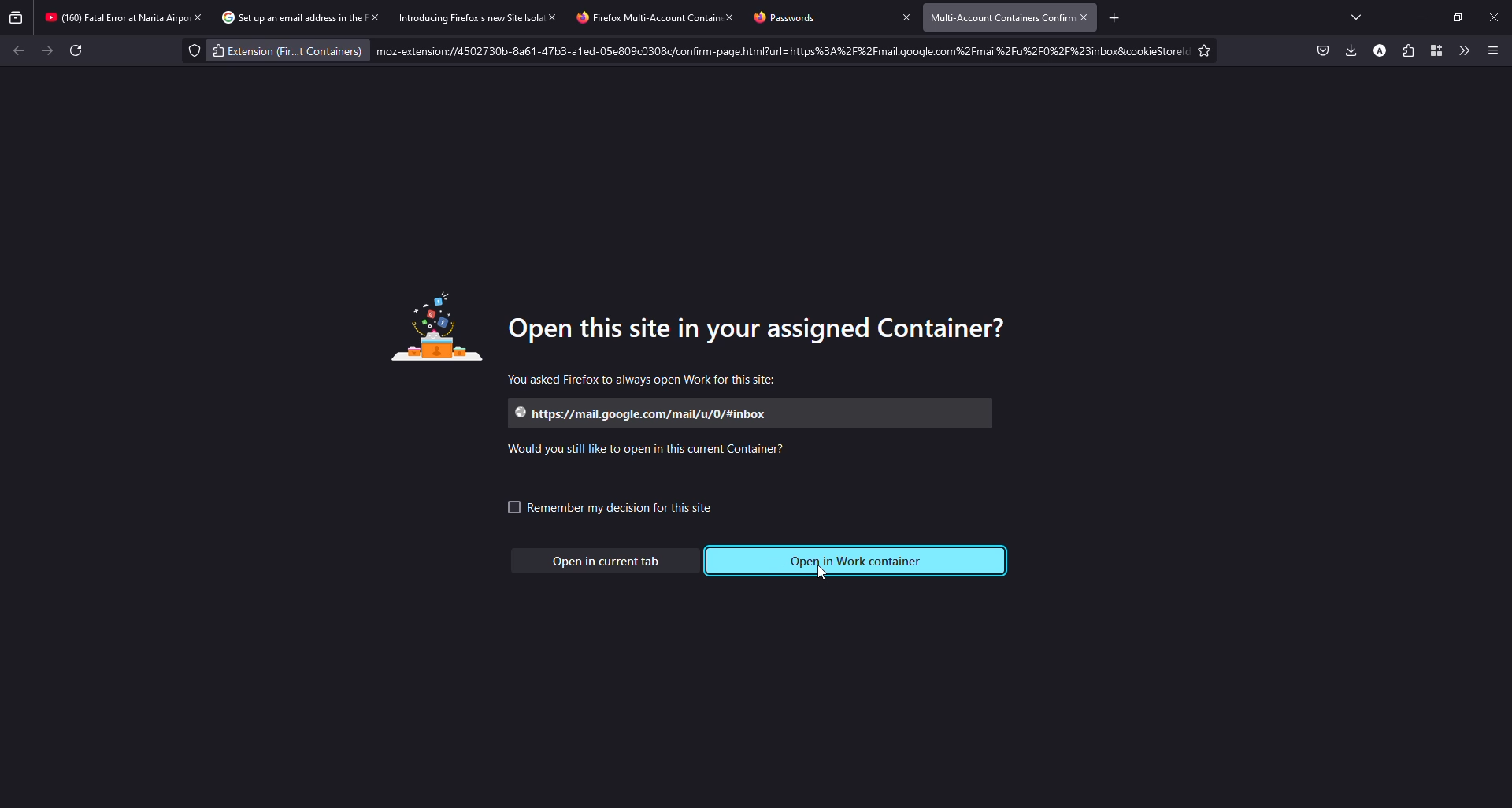 The height and width of the screenshot is (808, 1512). I want to click on view recent, so click(16, 18).